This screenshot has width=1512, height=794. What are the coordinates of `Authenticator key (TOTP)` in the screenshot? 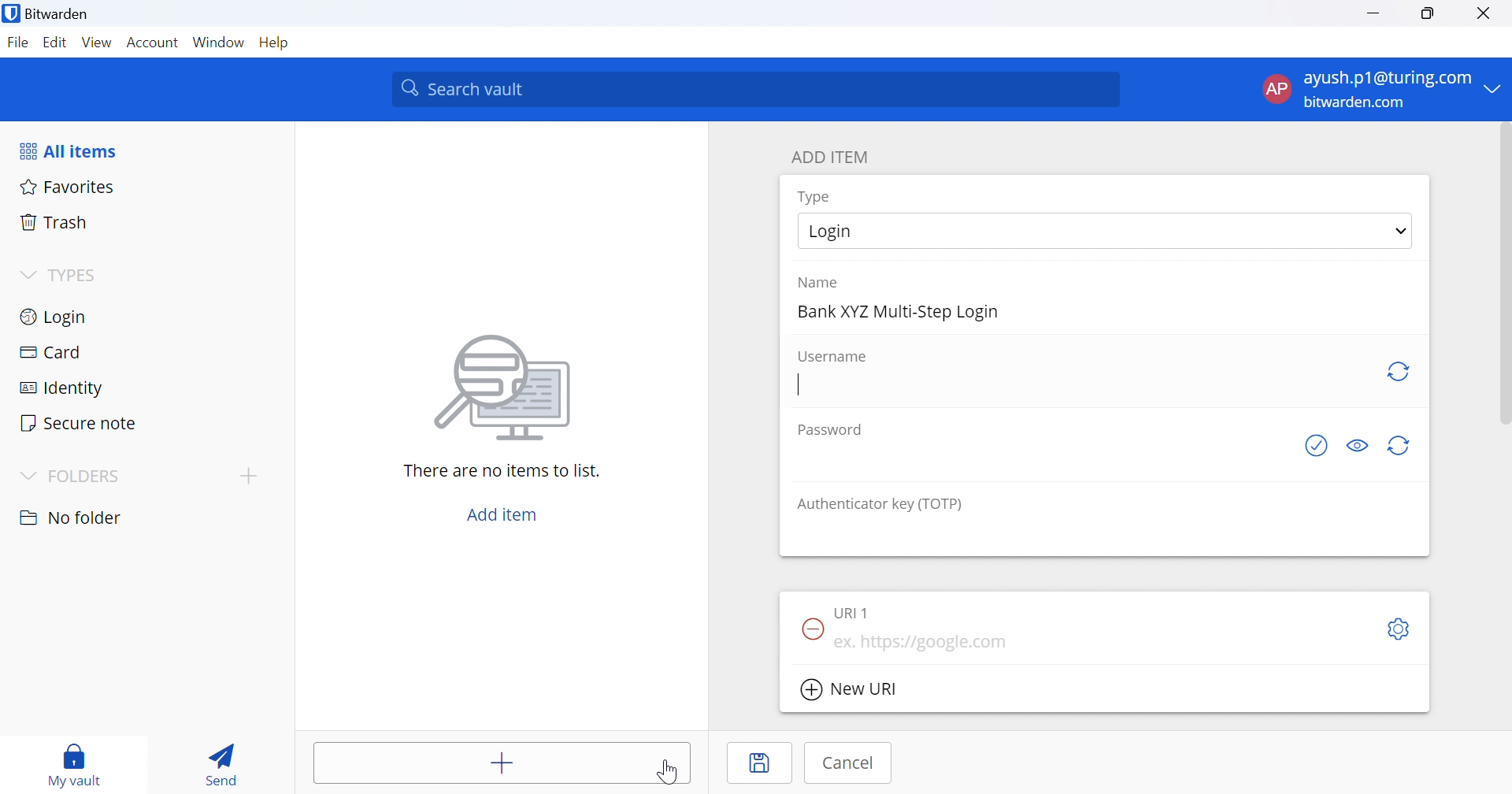 It's located at (880, 506).